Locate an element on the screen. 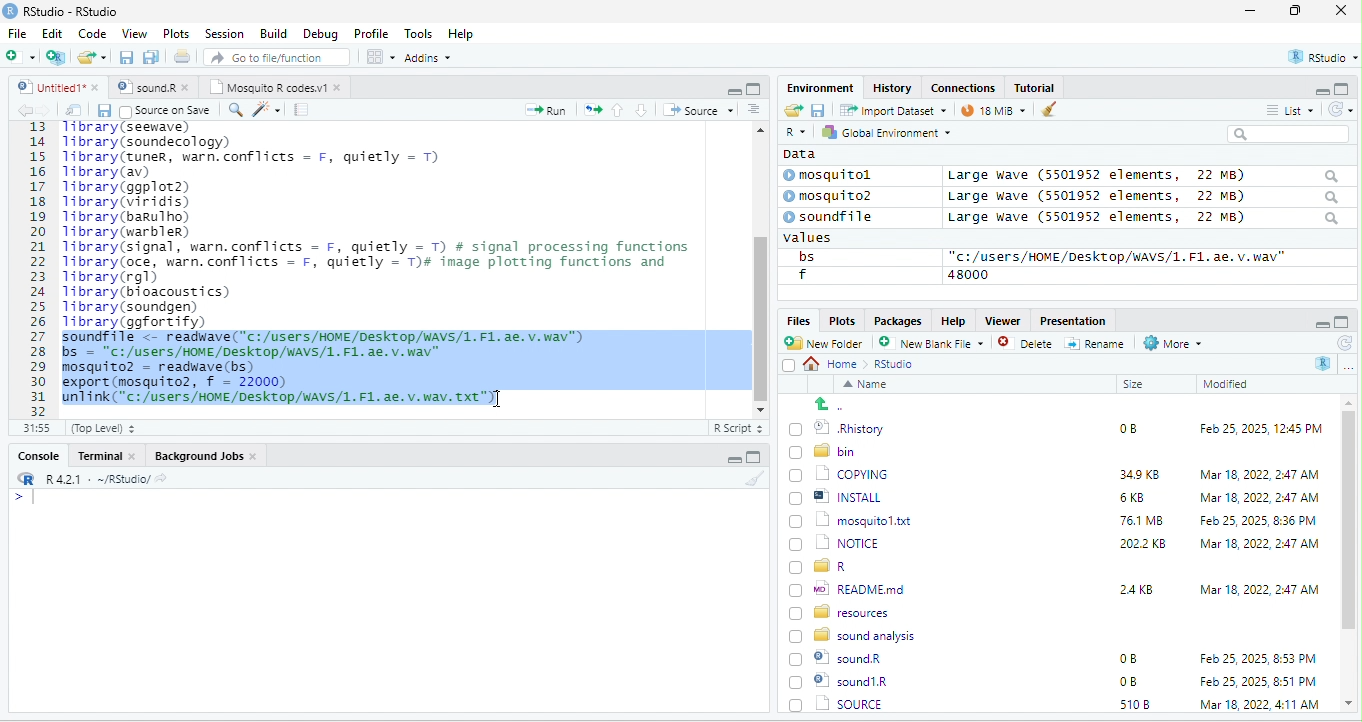 The height and width of the screenshot is (722, 1362). up is located at coordinates (619, 109).